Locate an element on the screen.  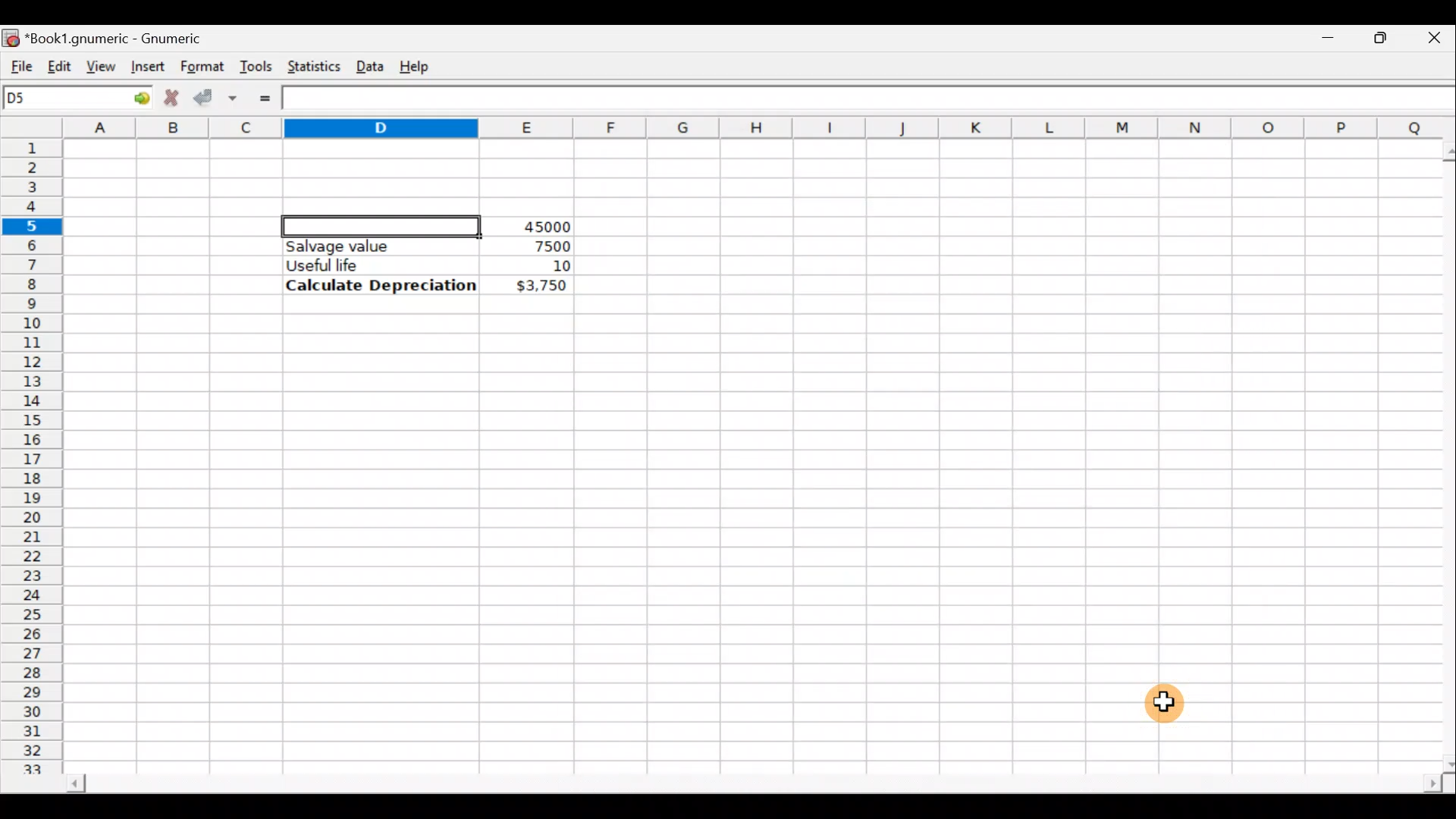
Data is located at coordinates (369, 63).